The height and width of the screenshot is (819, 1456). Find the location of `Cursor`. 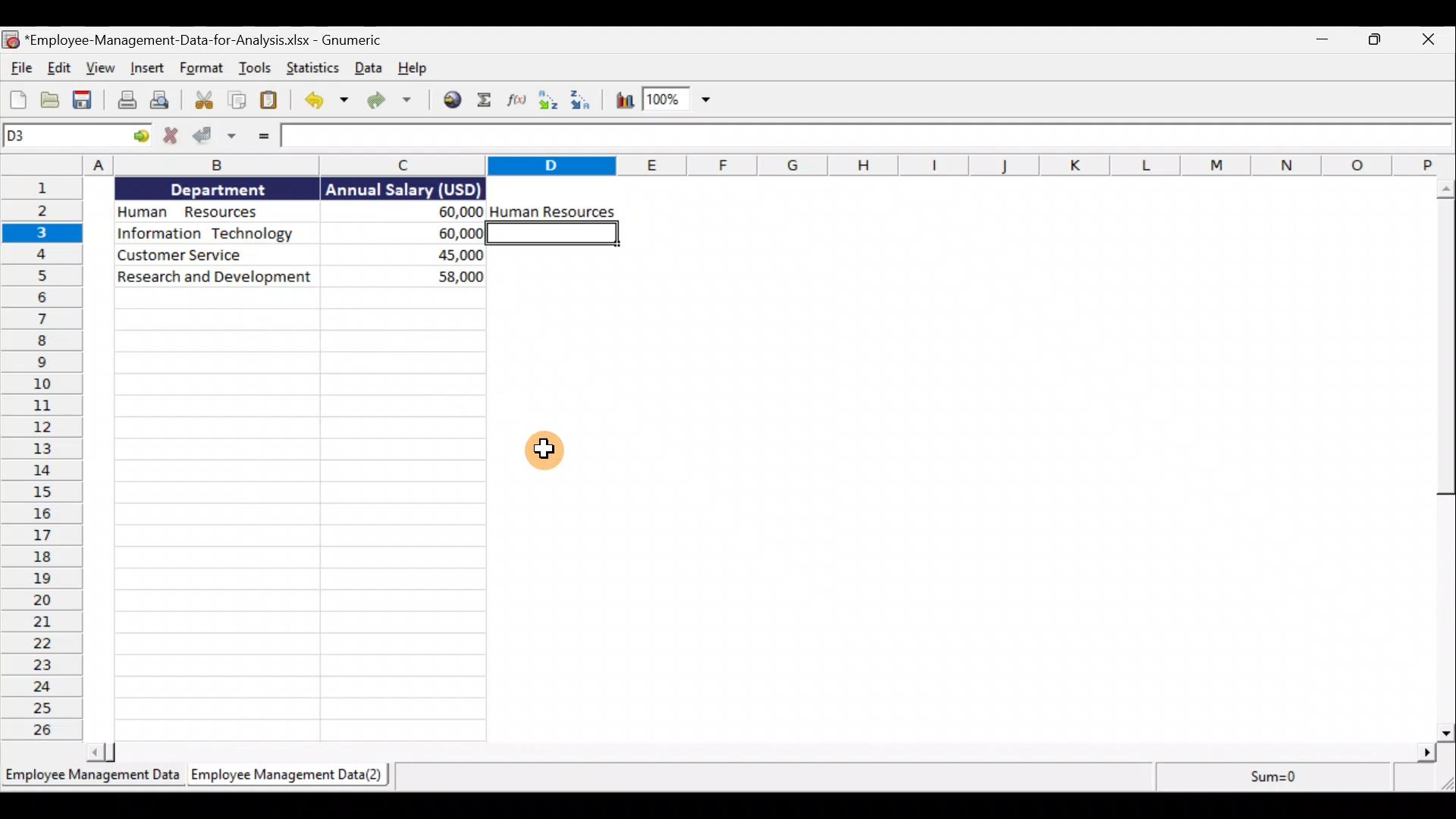

Cursor is located at coordinates (545, 447).